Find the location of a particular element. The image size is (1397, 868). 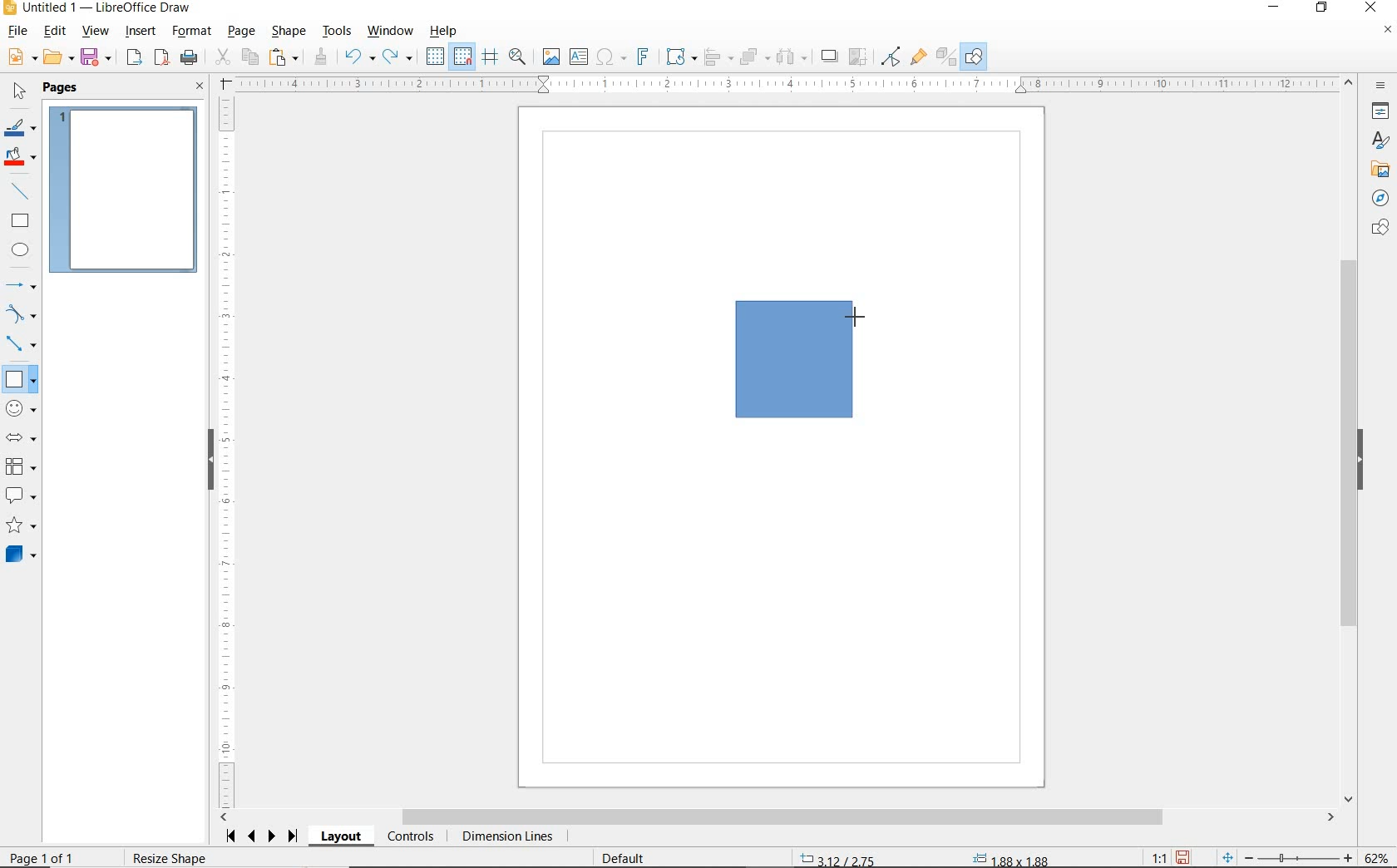

STARS AND BANNERS is located at coordinates (21, 526).